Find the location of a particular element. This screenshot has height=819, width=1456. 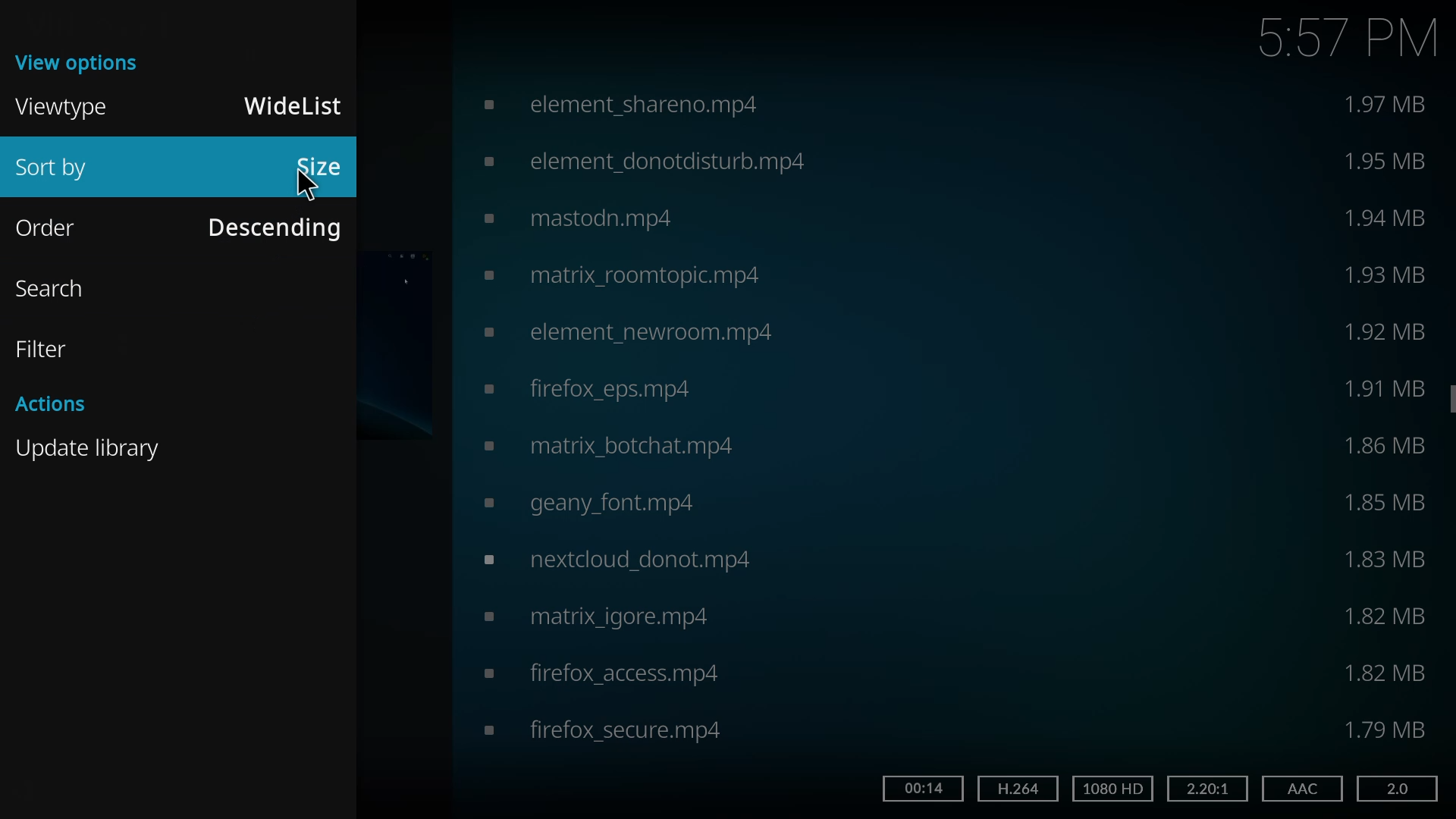

size is located at coordinates (1385, 446).